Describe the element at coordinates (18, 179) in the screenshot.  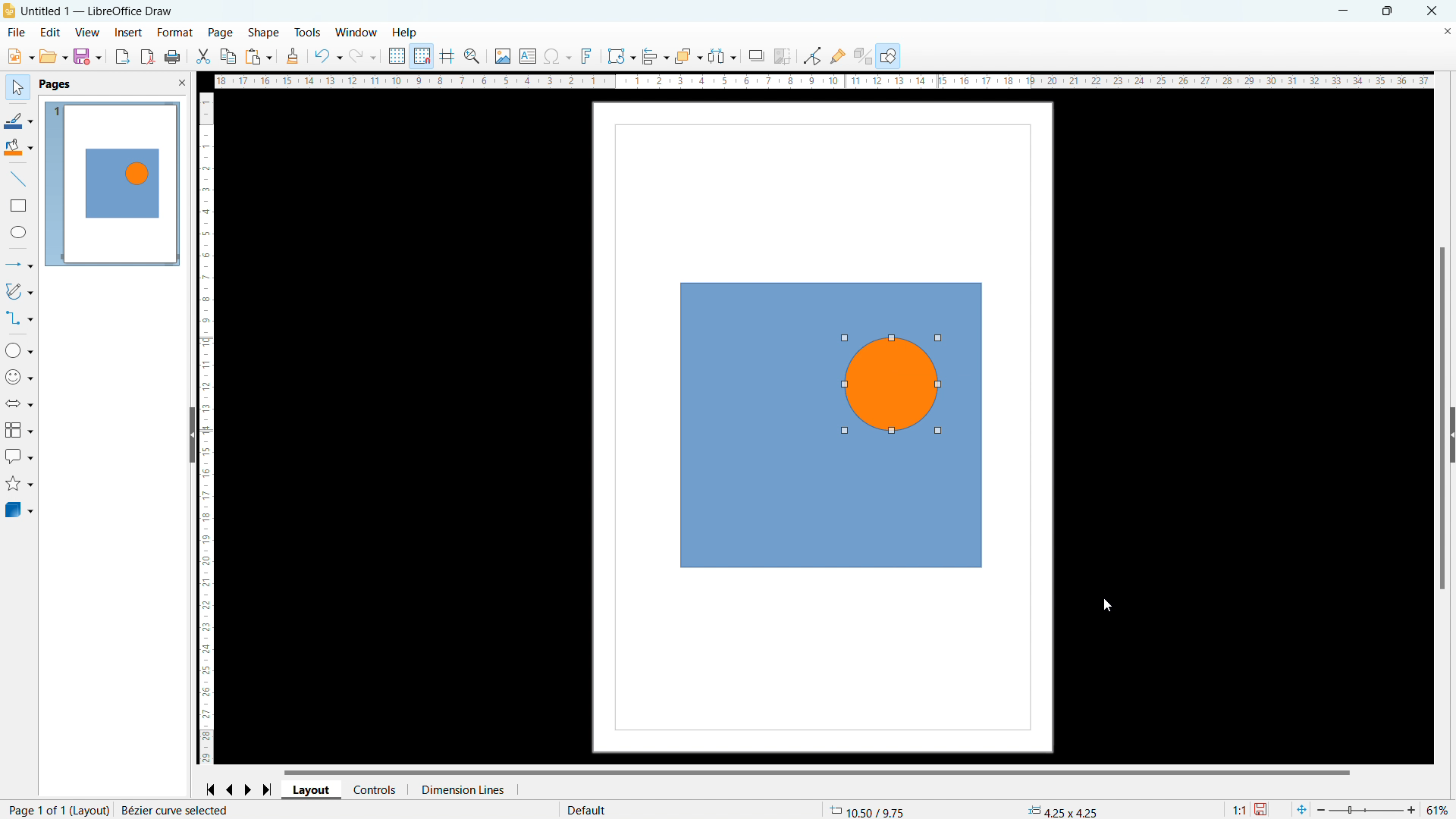
I see `line tool` at that location.